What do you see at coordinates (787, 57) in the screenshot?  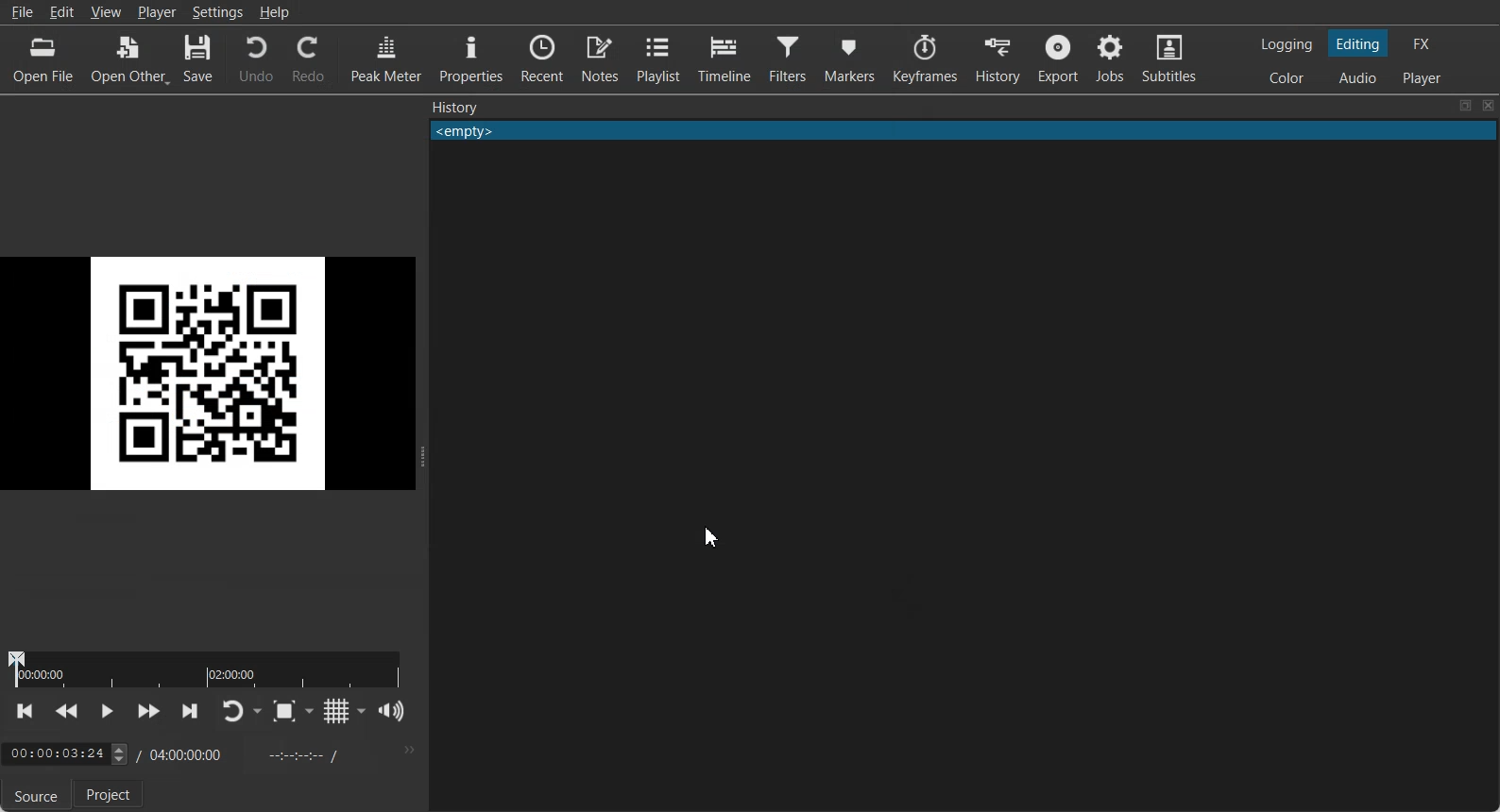 I see `Filters` at bounding box center [787, 57].